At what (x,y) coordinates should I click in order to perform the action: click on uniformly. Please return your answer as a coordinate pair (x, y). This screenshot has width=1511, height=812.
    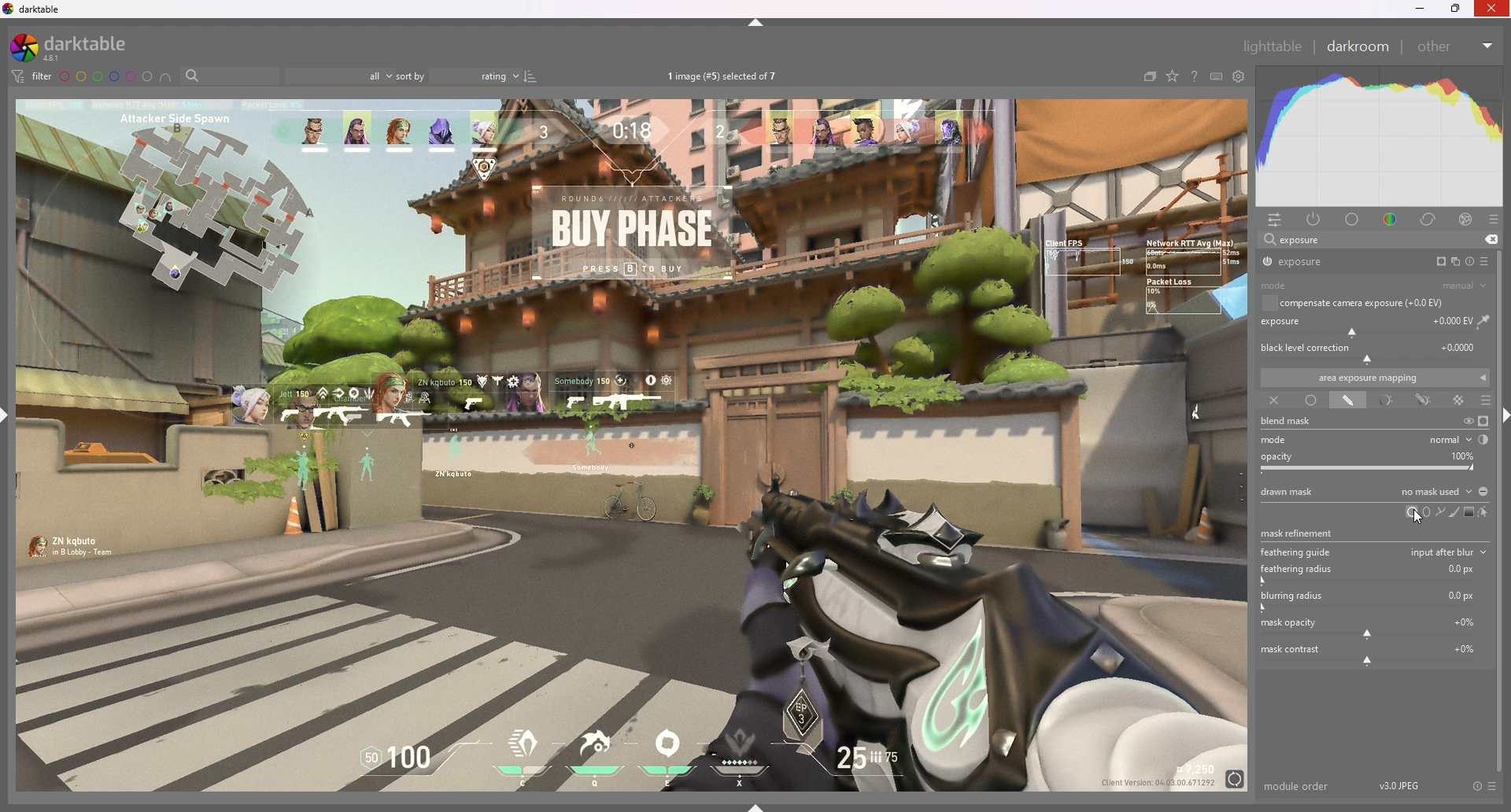
    Looking at the image, I should click on (1311, 400).